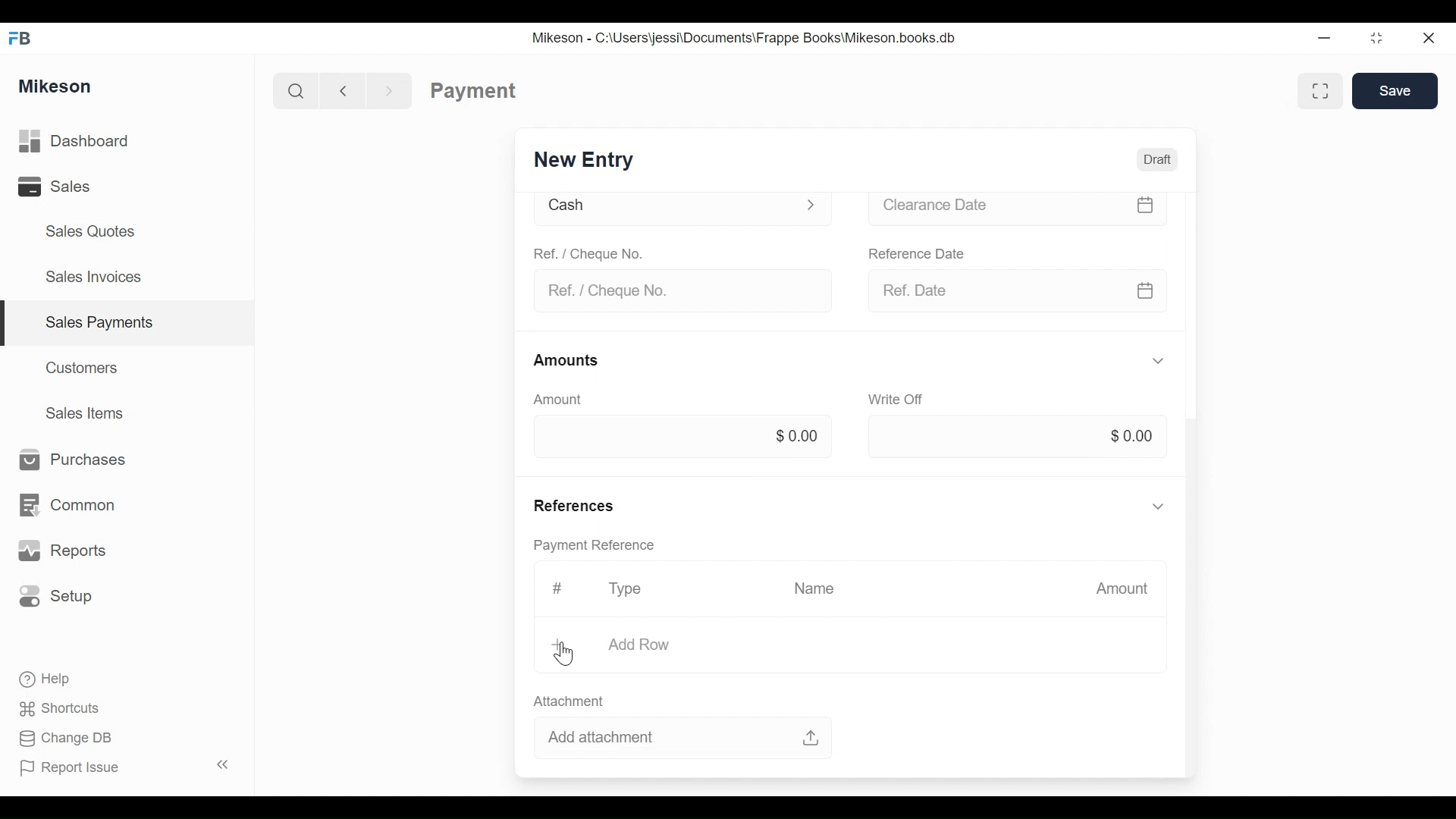  I want to click on Sales Items, so click(92, 414).